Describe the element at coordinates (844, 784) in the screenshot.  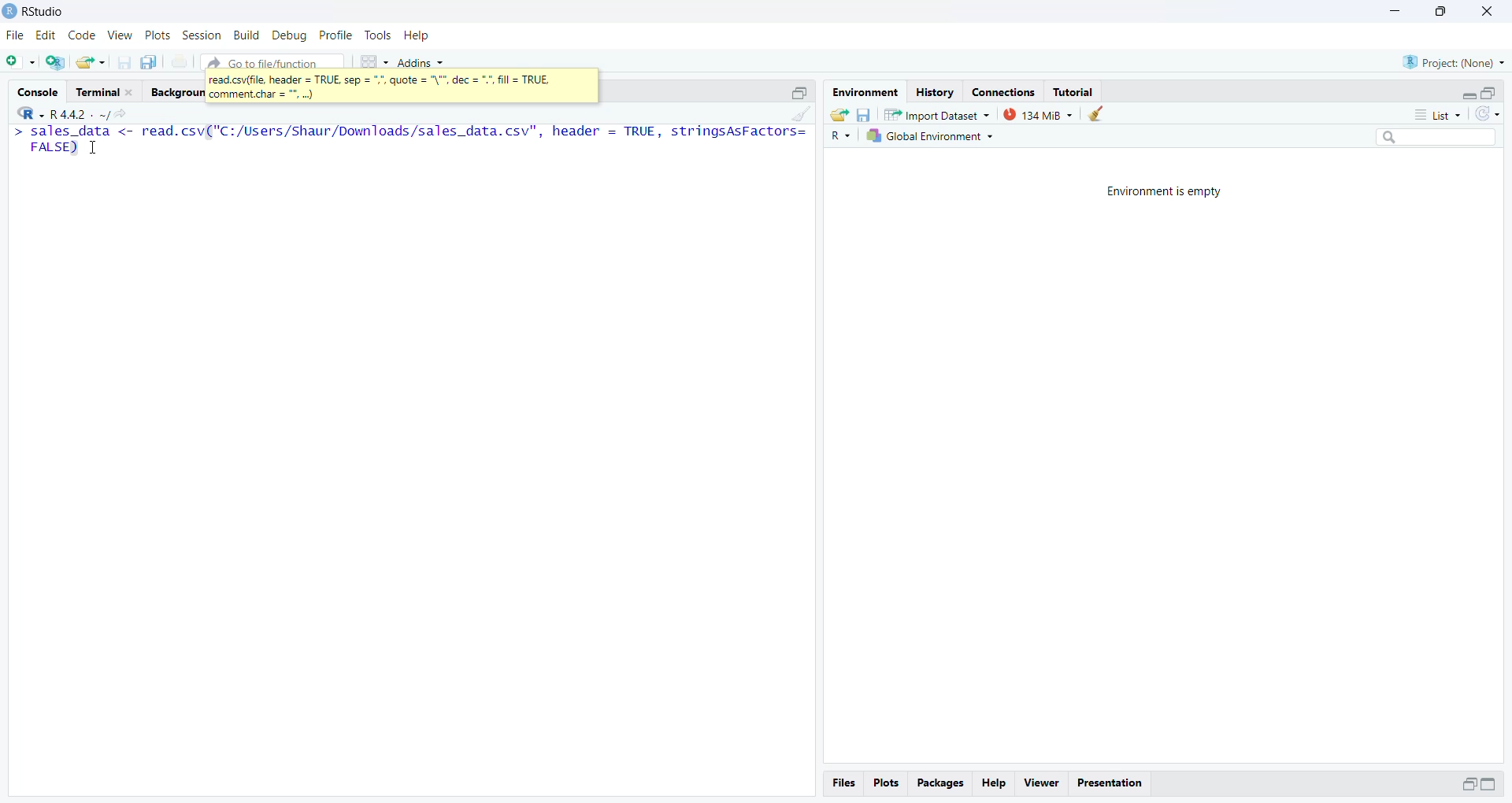
I see `files` at that location.